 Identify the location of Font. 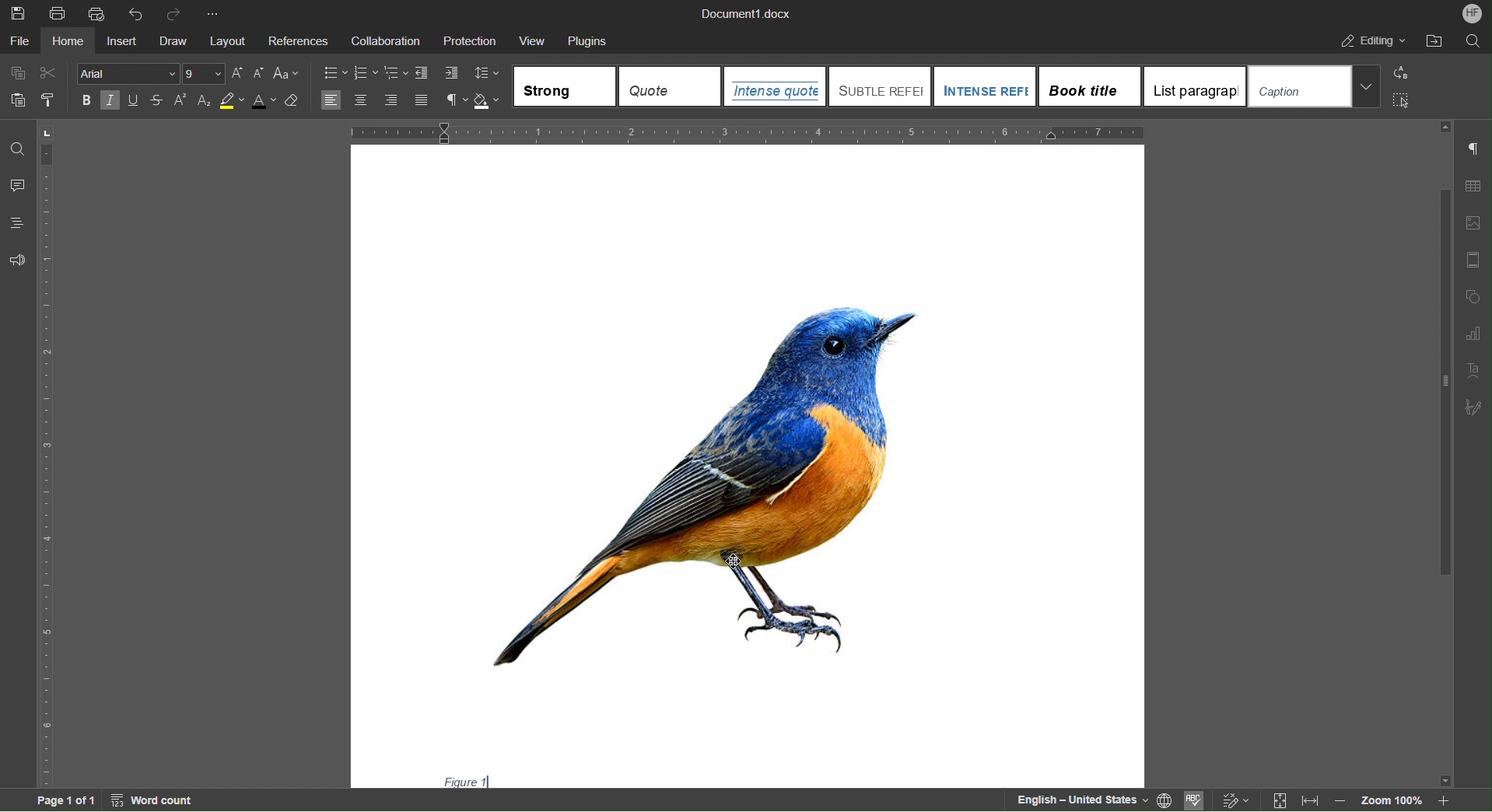
(129, 73).